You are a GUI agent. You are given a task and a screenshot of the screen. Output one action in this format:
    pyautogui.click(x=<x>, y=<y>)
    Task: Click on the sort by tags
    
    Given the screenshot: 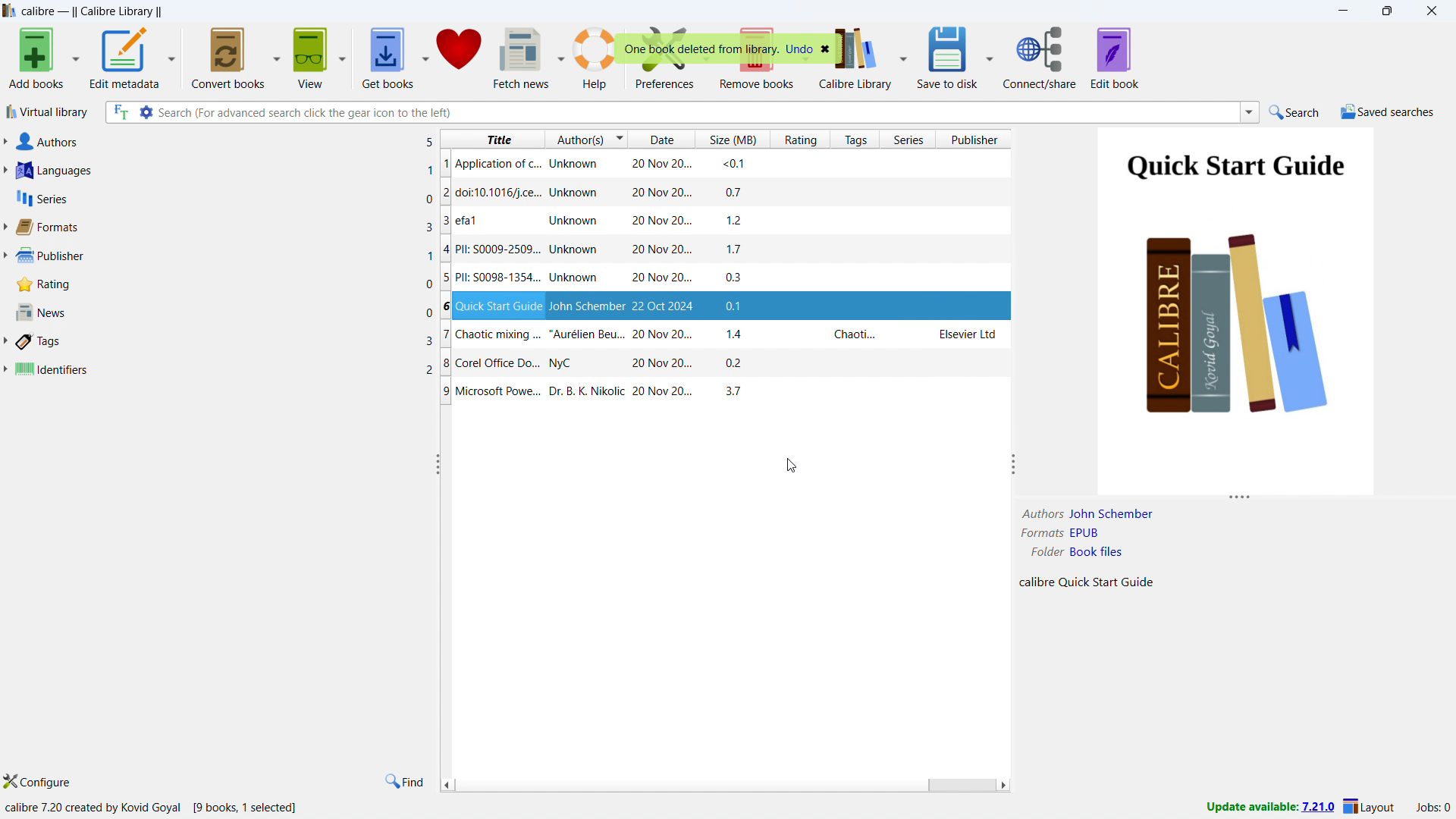 What is the action you would take?
    pyautogui.click(x=859, y=139)
    